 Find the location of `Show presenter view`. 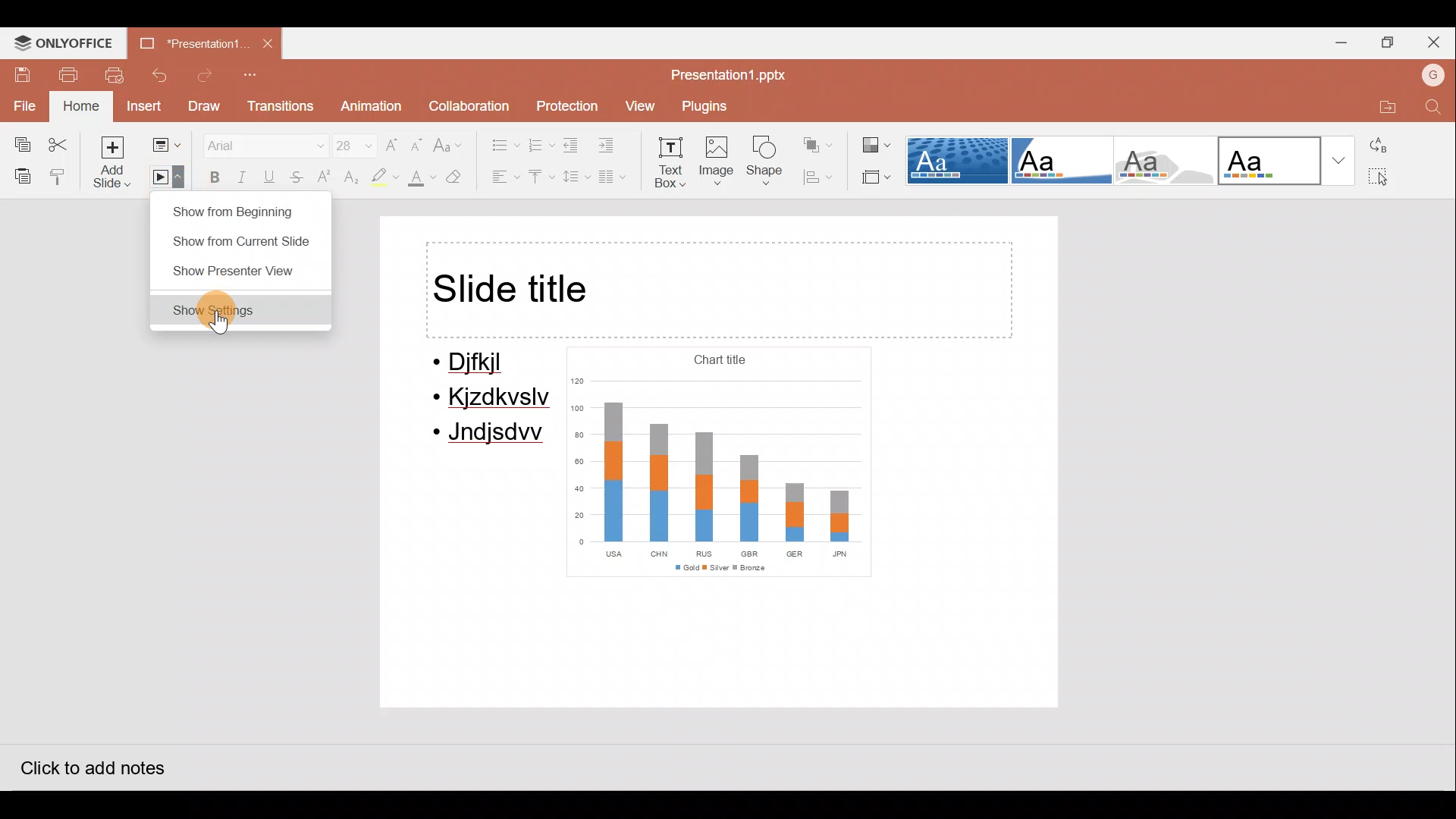

Show presenter view is located at coordinates (234, 272).